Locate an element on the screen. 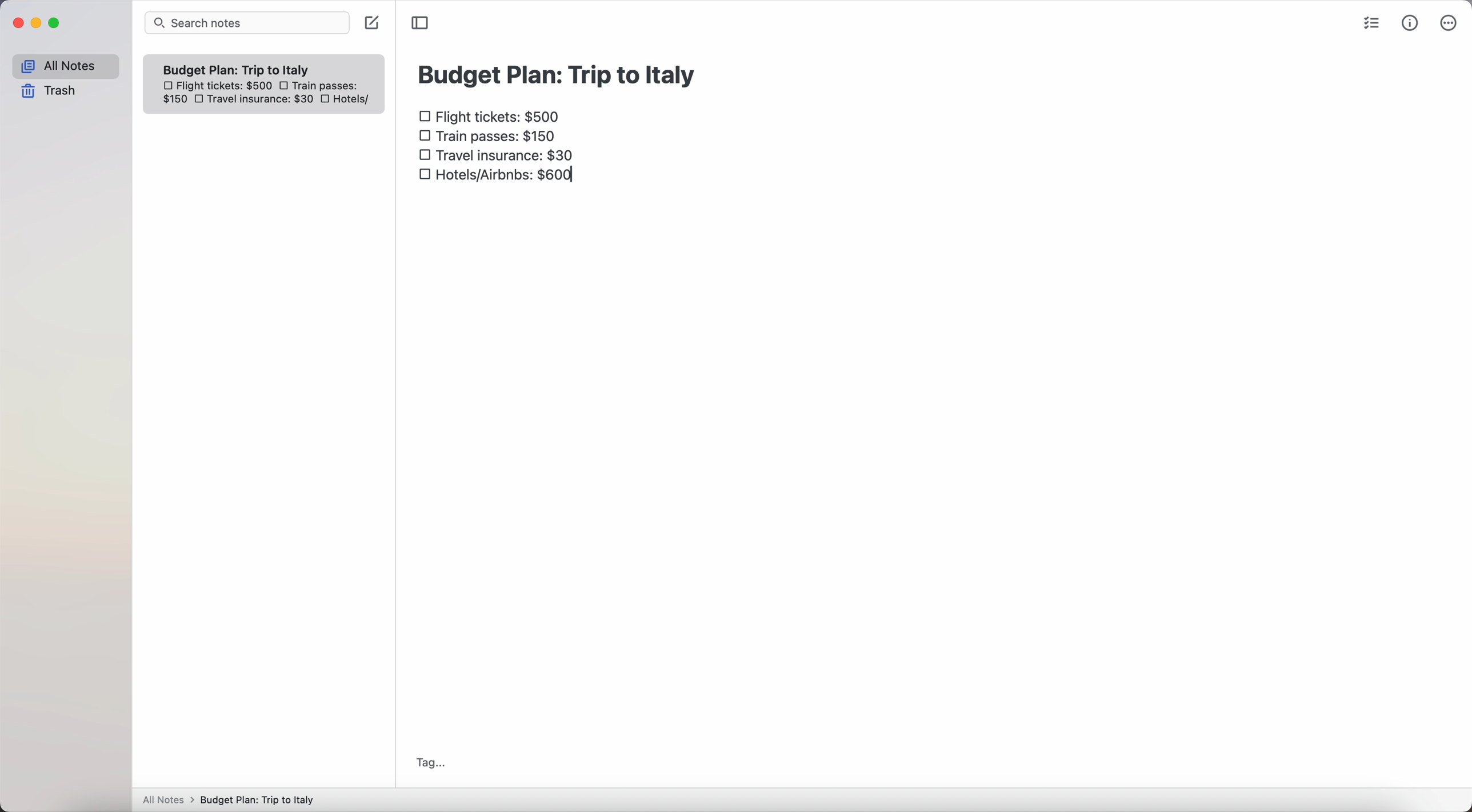 The height and width of the screenshot is (812, 1472). Budget plan trip to Italy note is located at coordinates (238, 69).